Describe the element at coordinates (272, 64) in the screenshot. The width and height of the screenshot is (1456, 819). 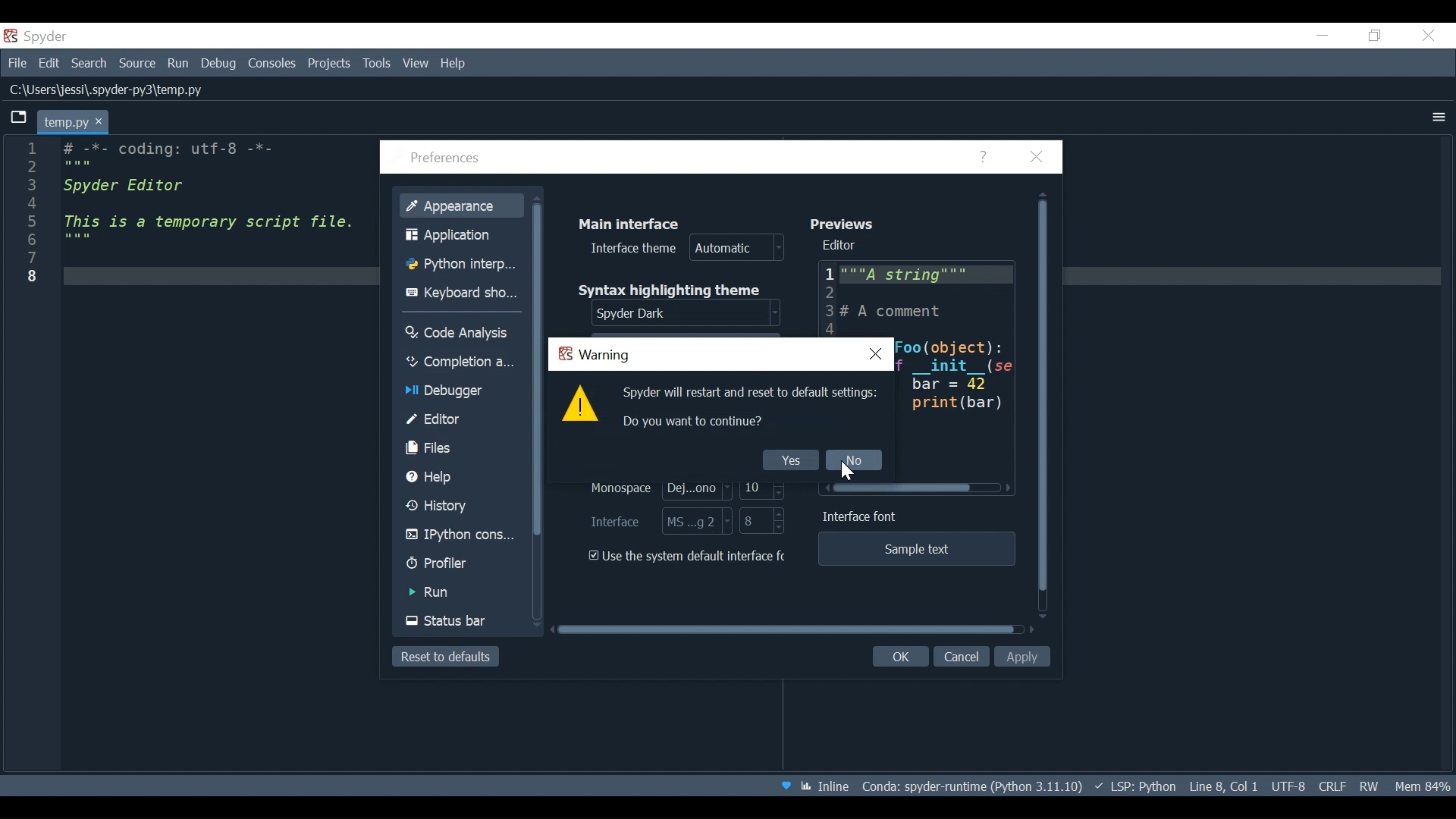
I see `Consoles` at that location.